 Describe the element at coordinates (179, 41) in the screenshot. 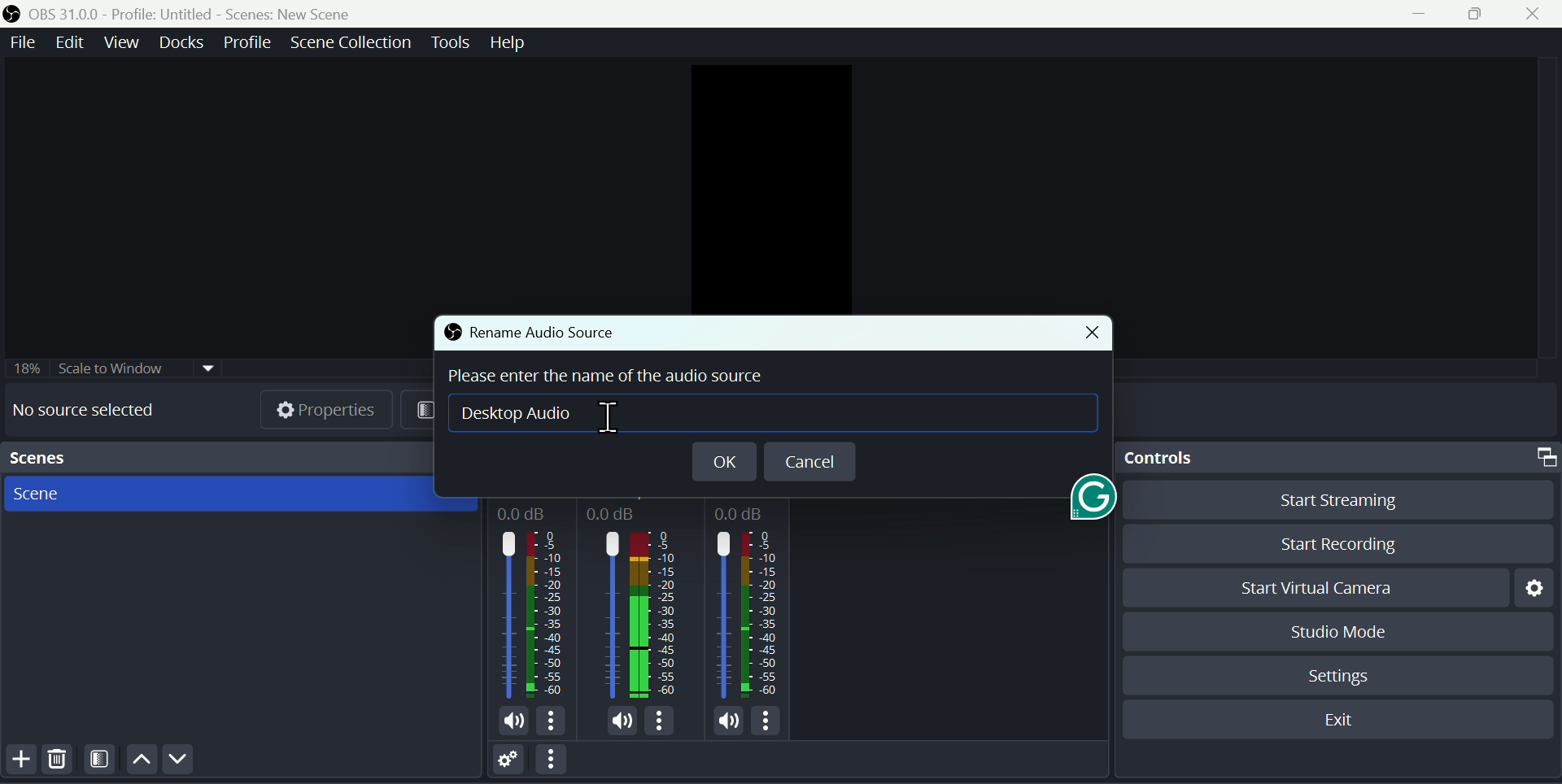

I see `Docks` at that location.